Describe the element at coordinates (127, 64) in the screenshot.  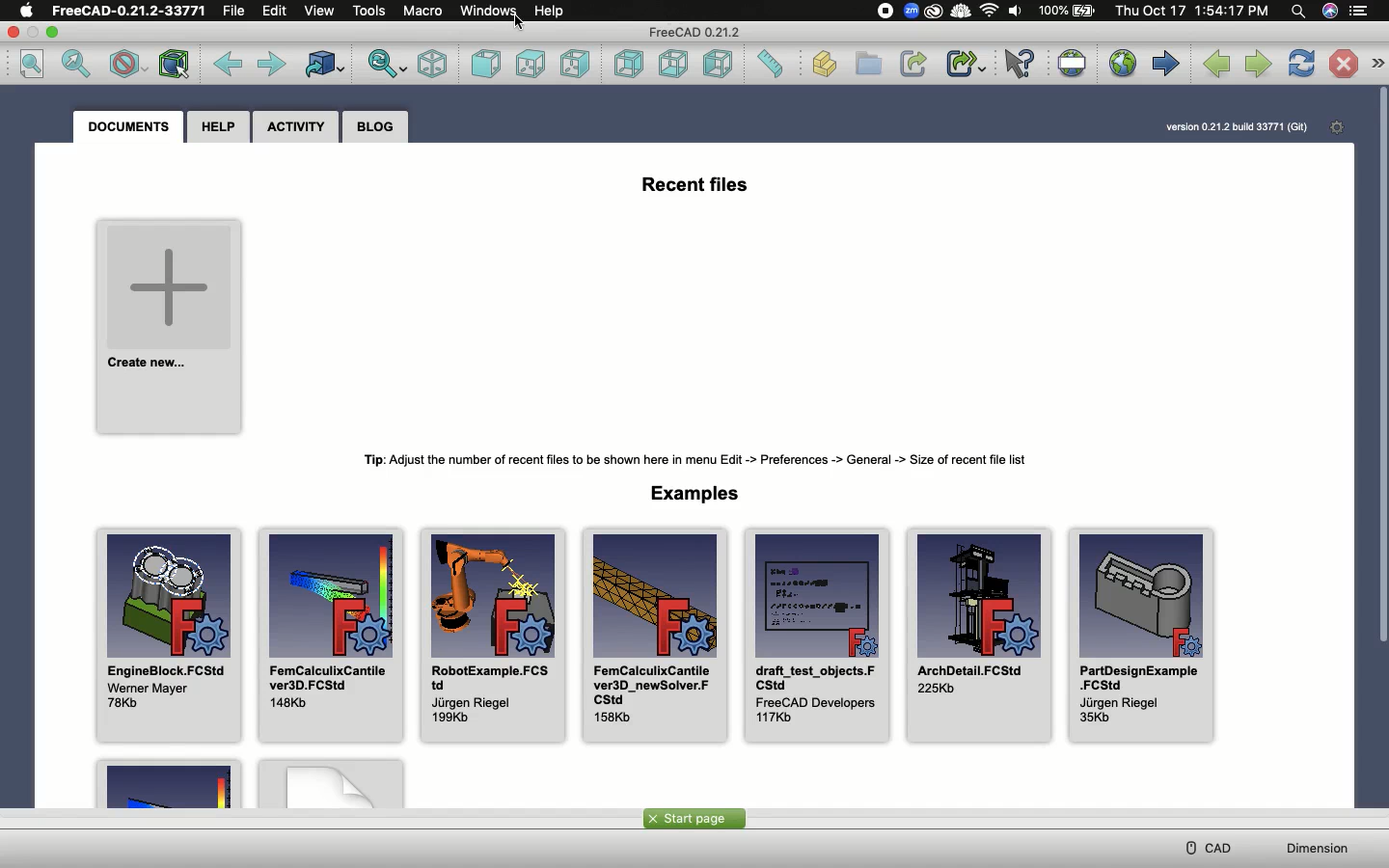
I see `Draw style` at that location.